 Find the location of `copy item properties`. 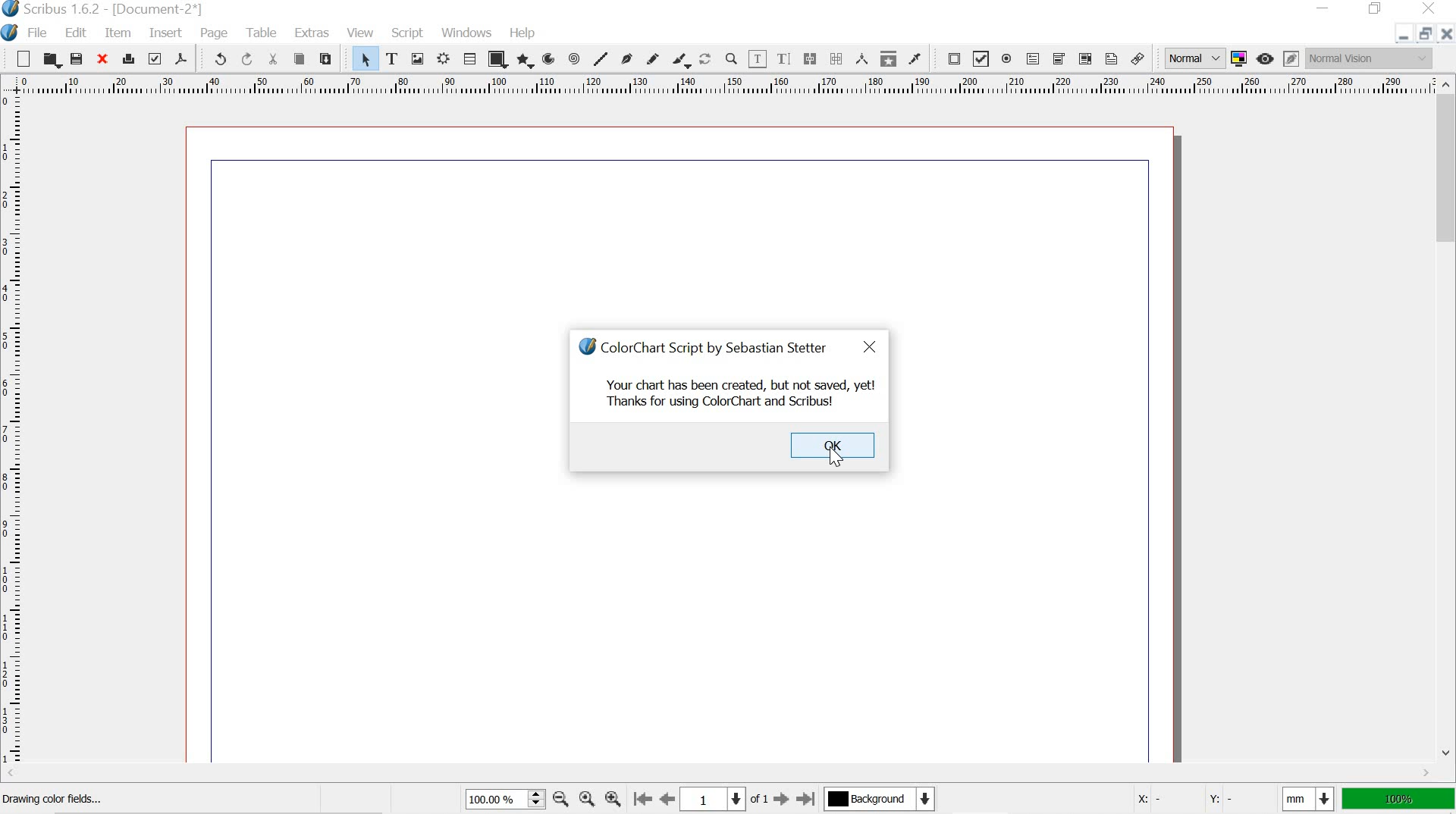

copy item properties is located at coordinates (889, 60).